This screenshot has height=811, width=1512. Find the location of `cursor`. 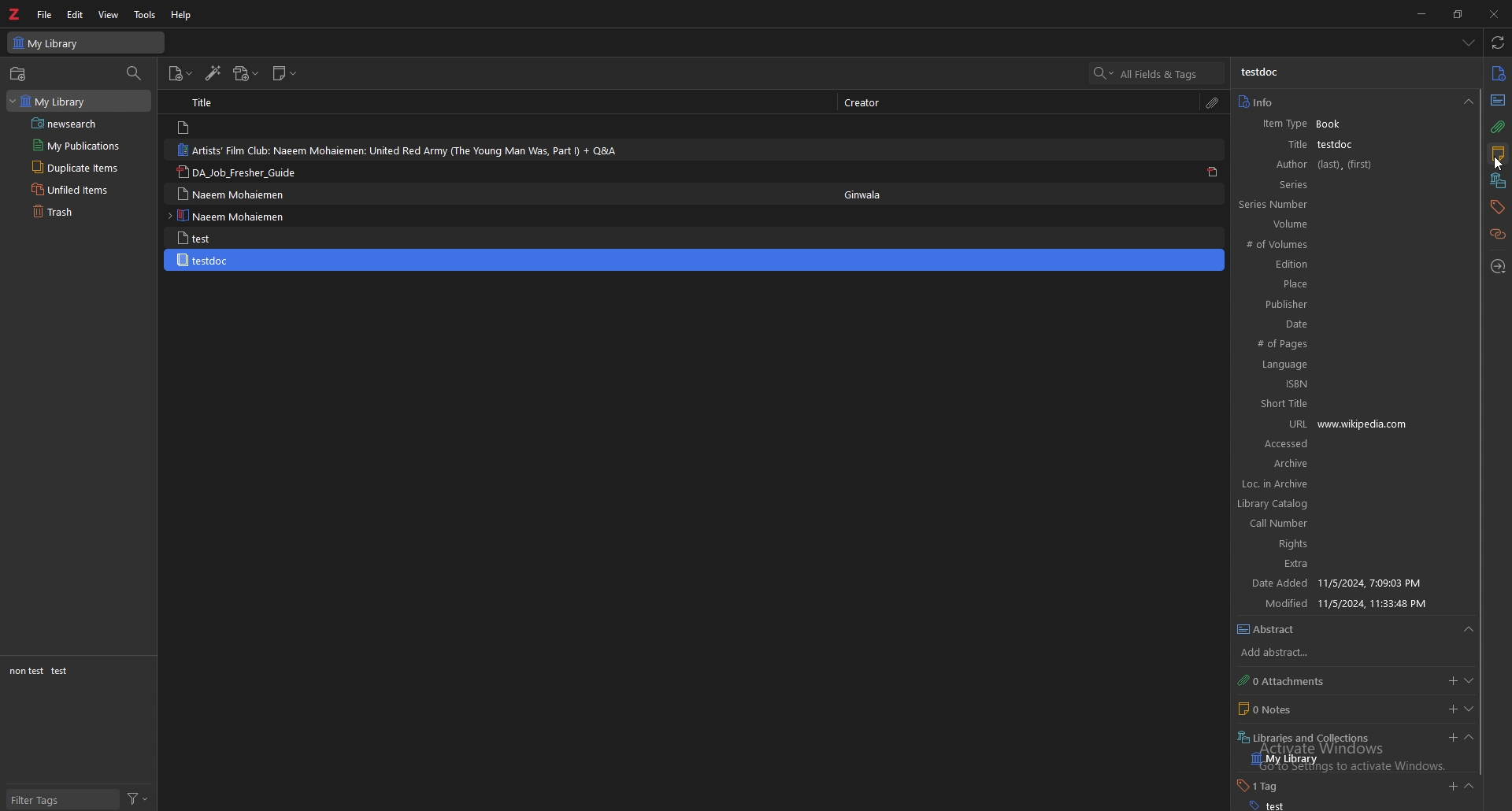

cursor is located at coordinates (1497, 163).